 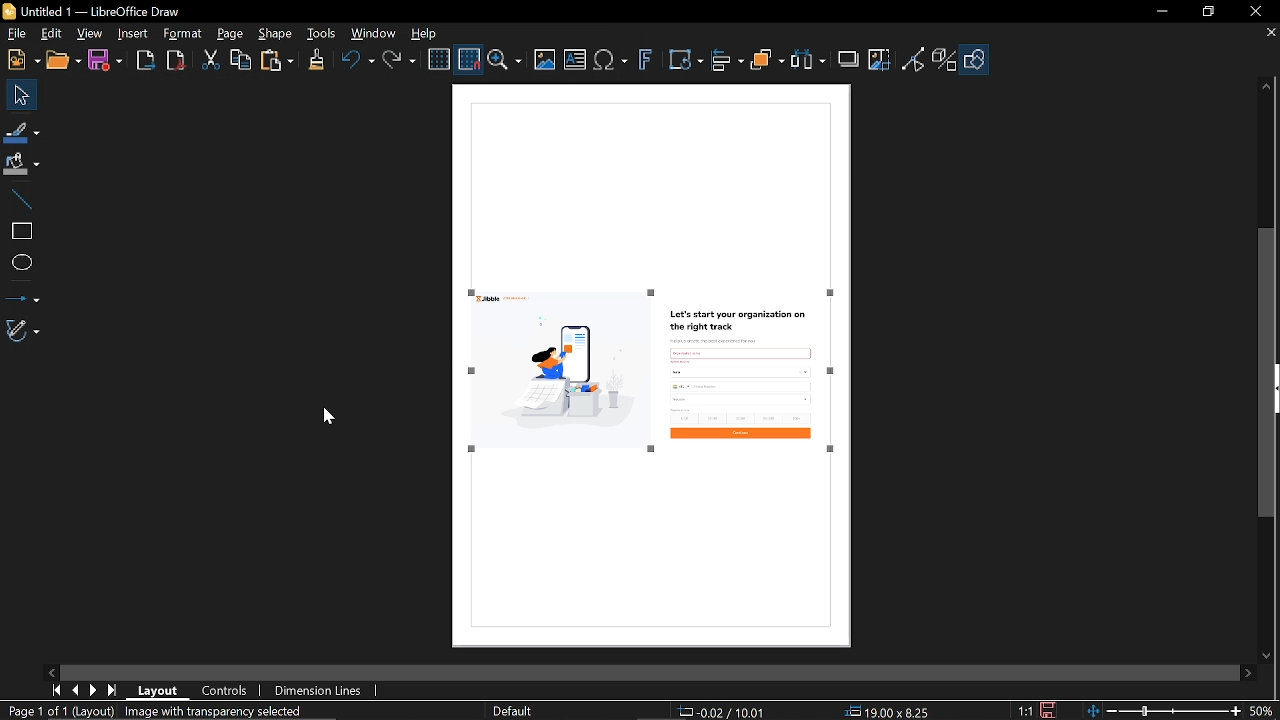 I want to click on Paste, so click(x=278, y=62).